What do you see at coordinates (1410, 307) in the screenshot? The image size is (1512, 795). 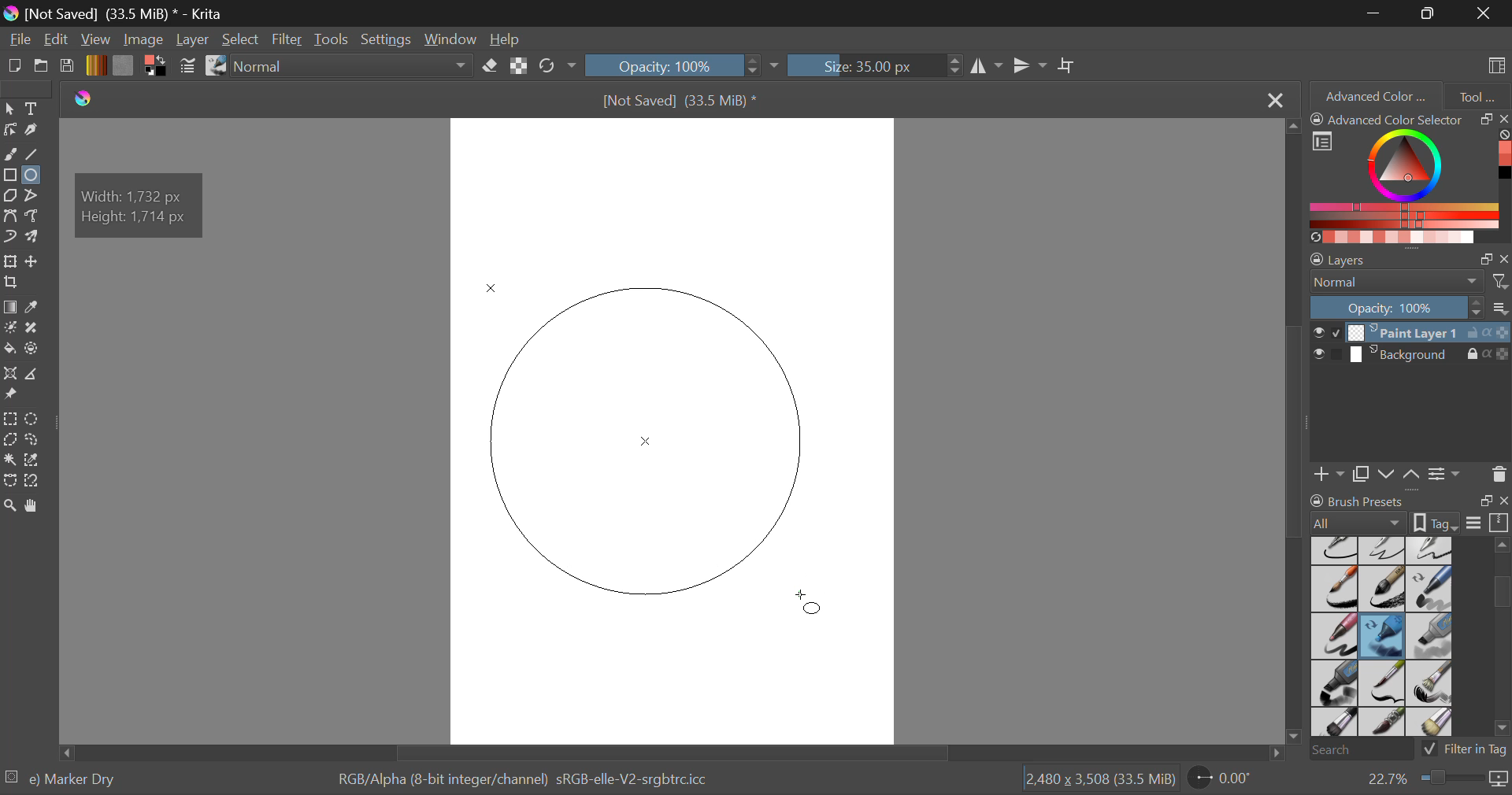 I see `Layer Opacity` at bounding box center [1410, 307].